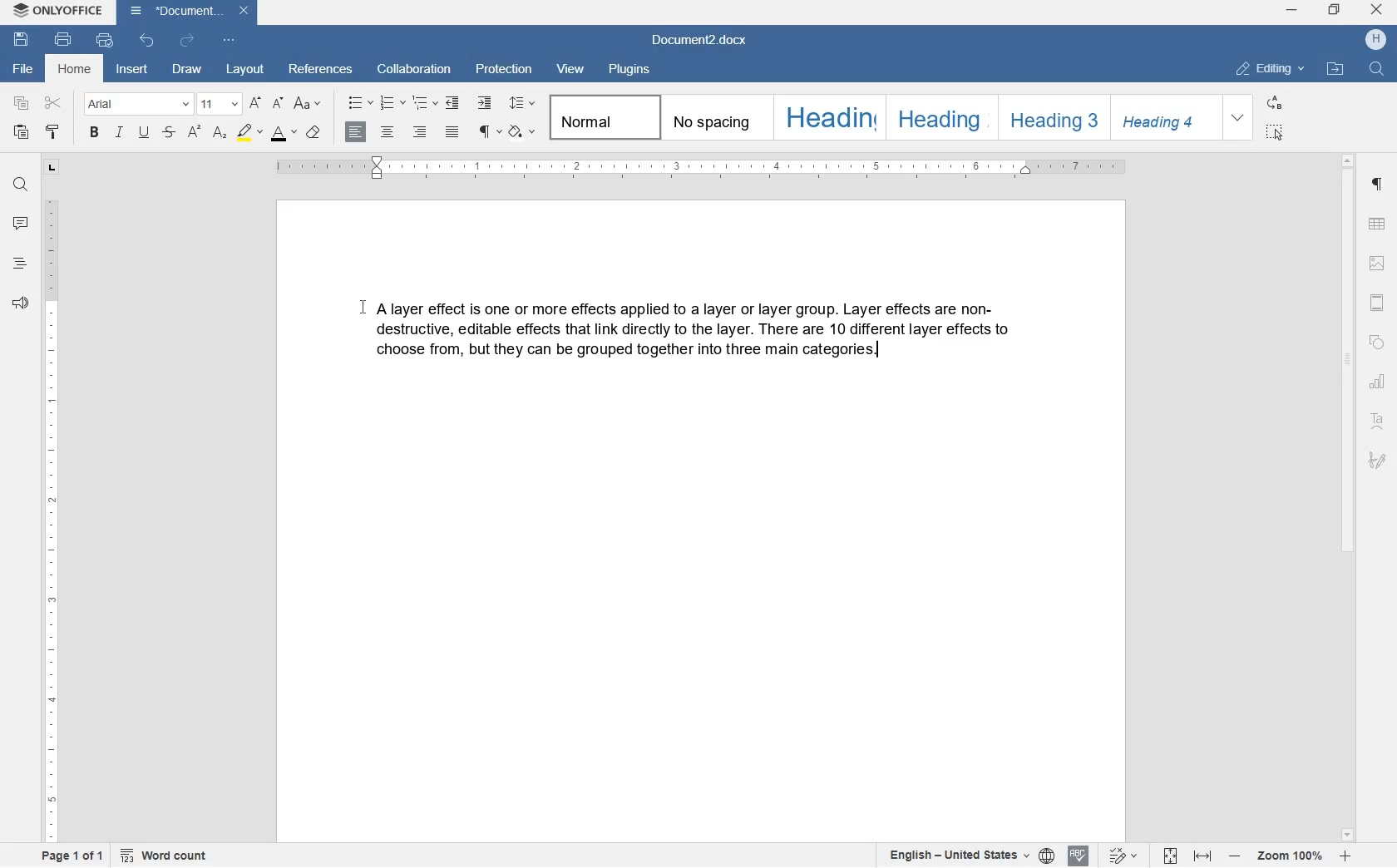 The image size is (1397, 868). I want to click on superscript, so click(194, 133).